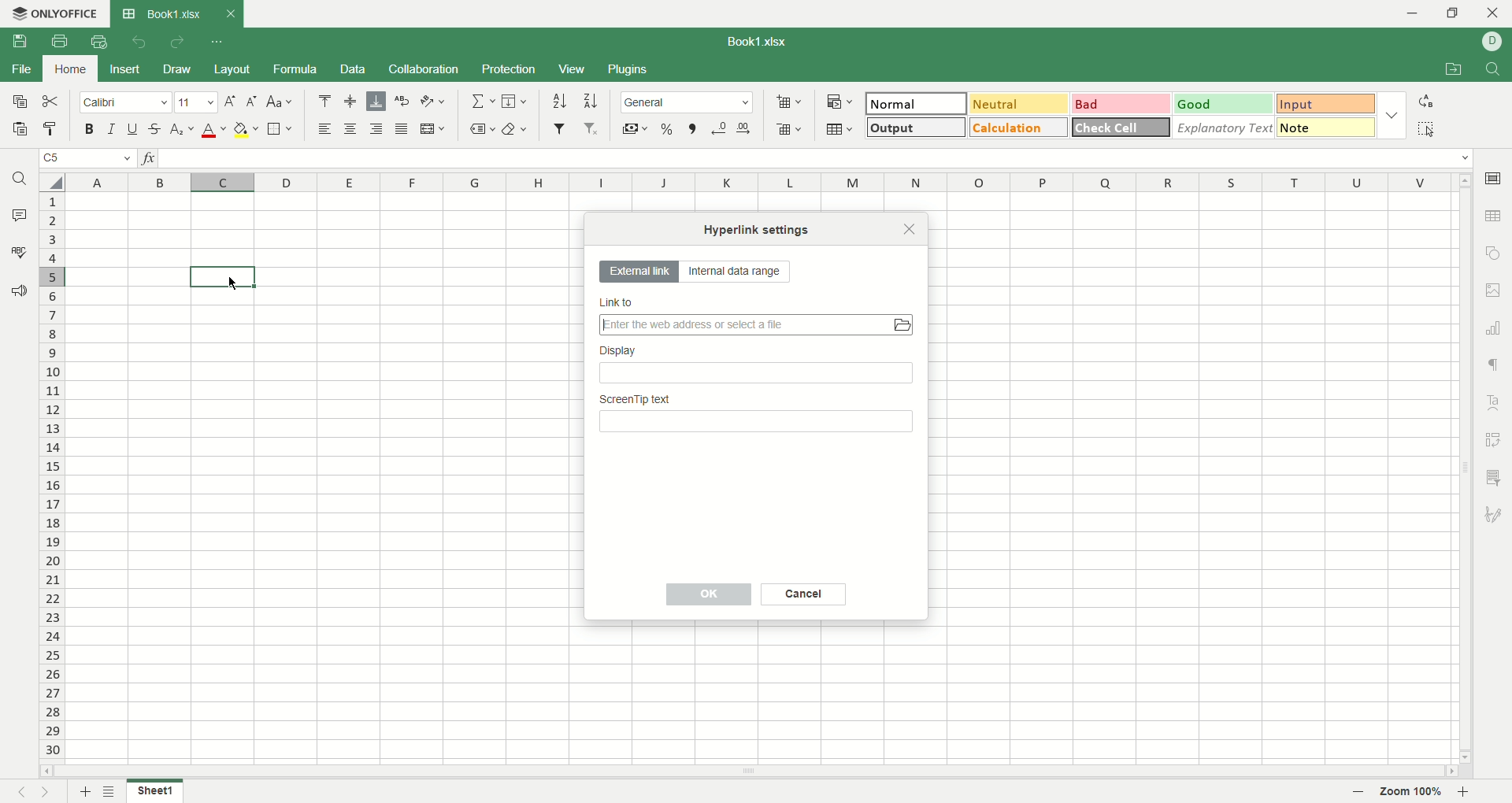 The width and height of the screenshot is (1512, 803). What do you see at coordinates (403, 101) in the screenshot?
I see `wrap text` at bounding box center [403, 101].